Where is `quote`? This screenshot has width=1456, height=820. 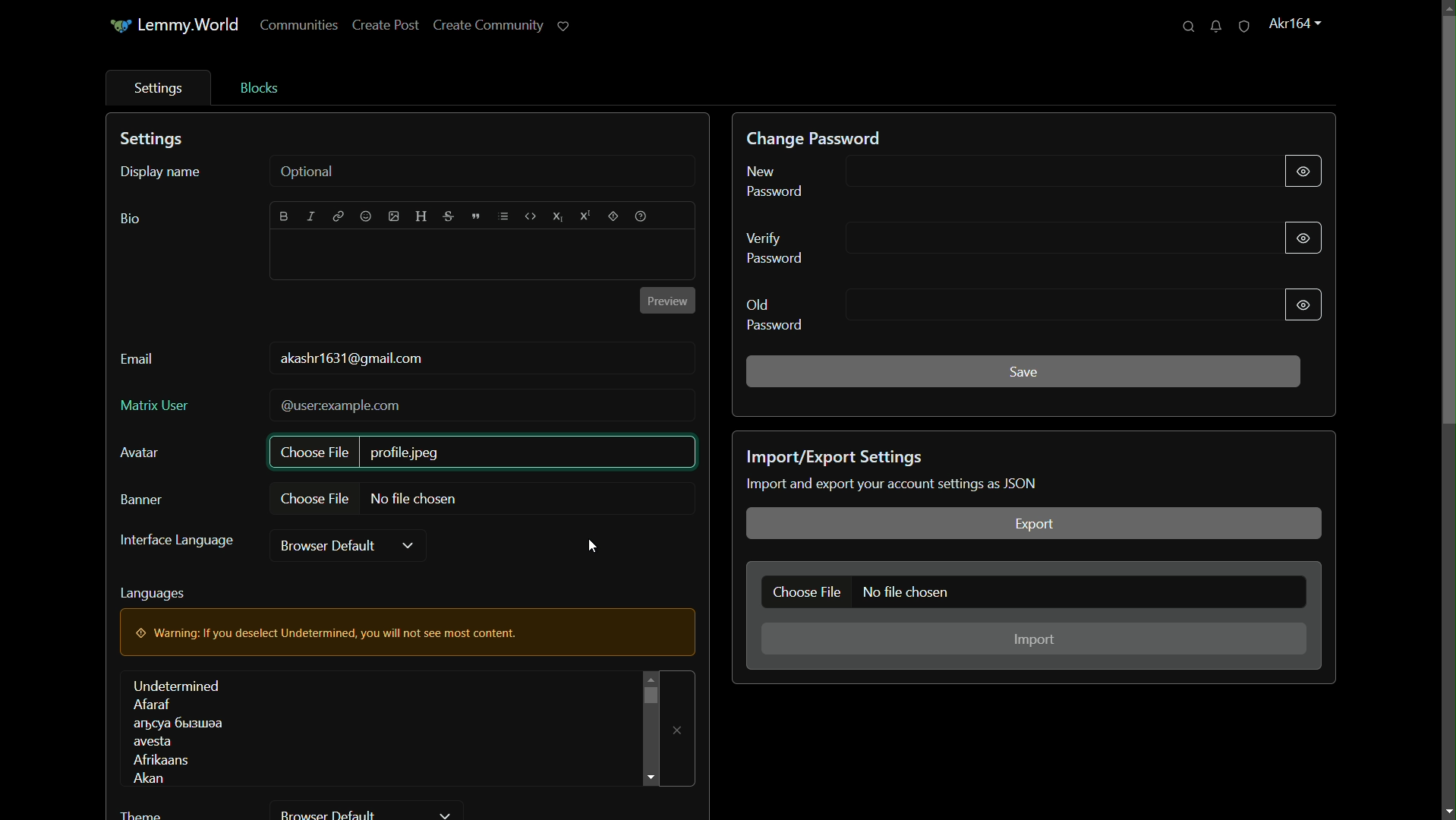 quote is located at coordinates (475, 218).